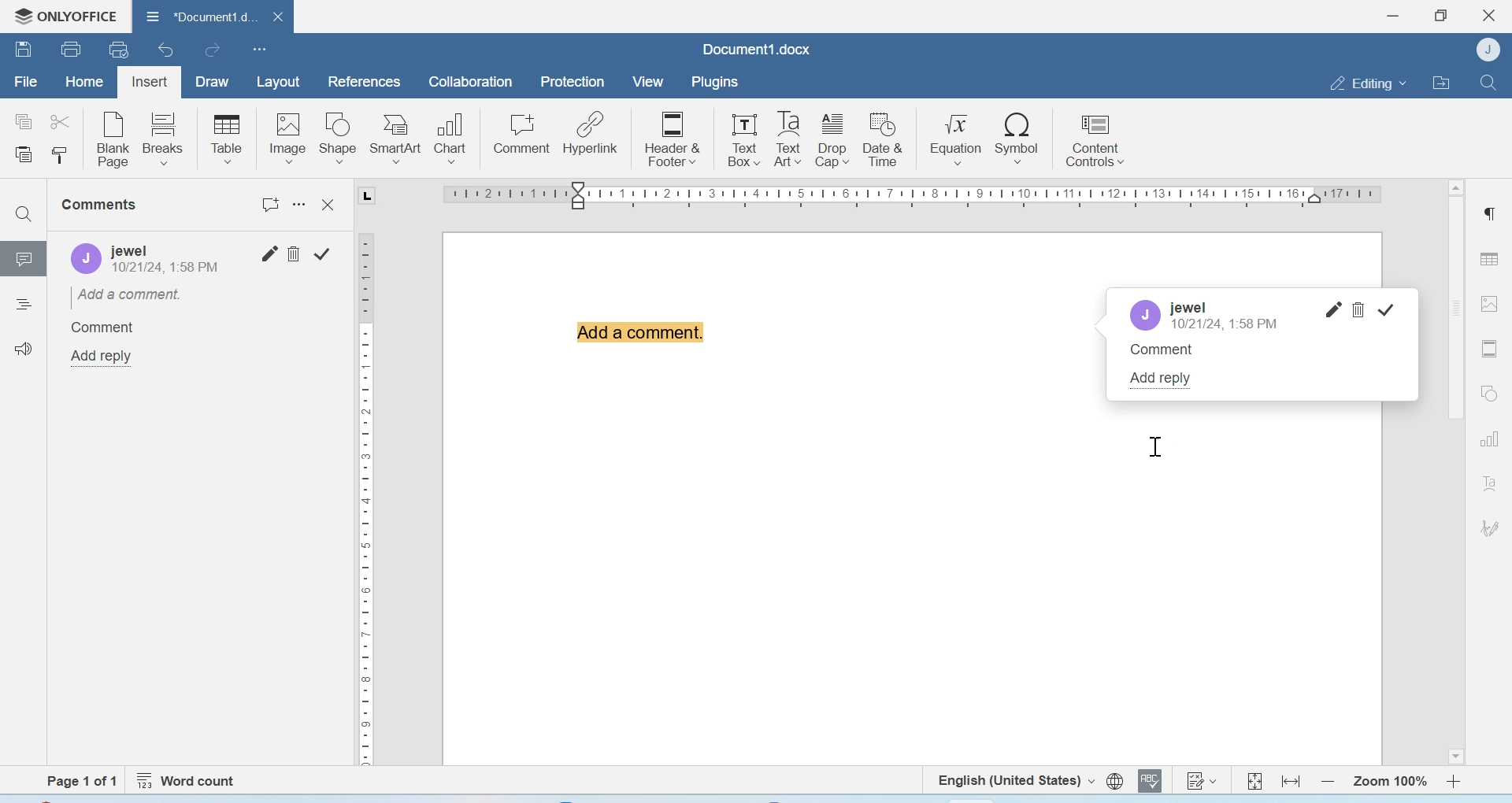 This screenshot has width=1512, height=803. What do you see at coordinates (25, 82) in the screenshot?
I see `File` at bounding box center [25, 82].